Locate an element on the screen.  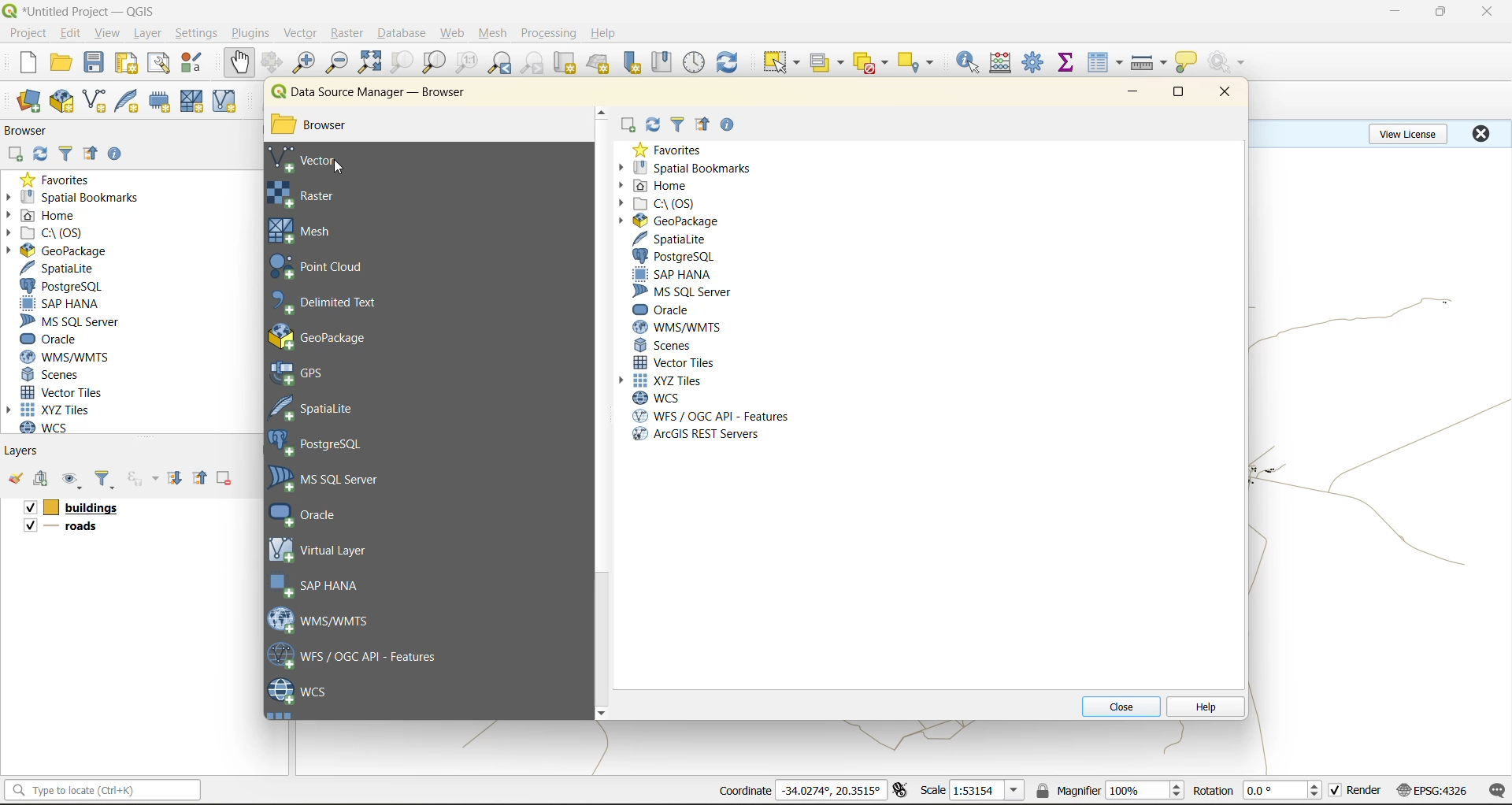
scale is located at coordinates (986, 791).